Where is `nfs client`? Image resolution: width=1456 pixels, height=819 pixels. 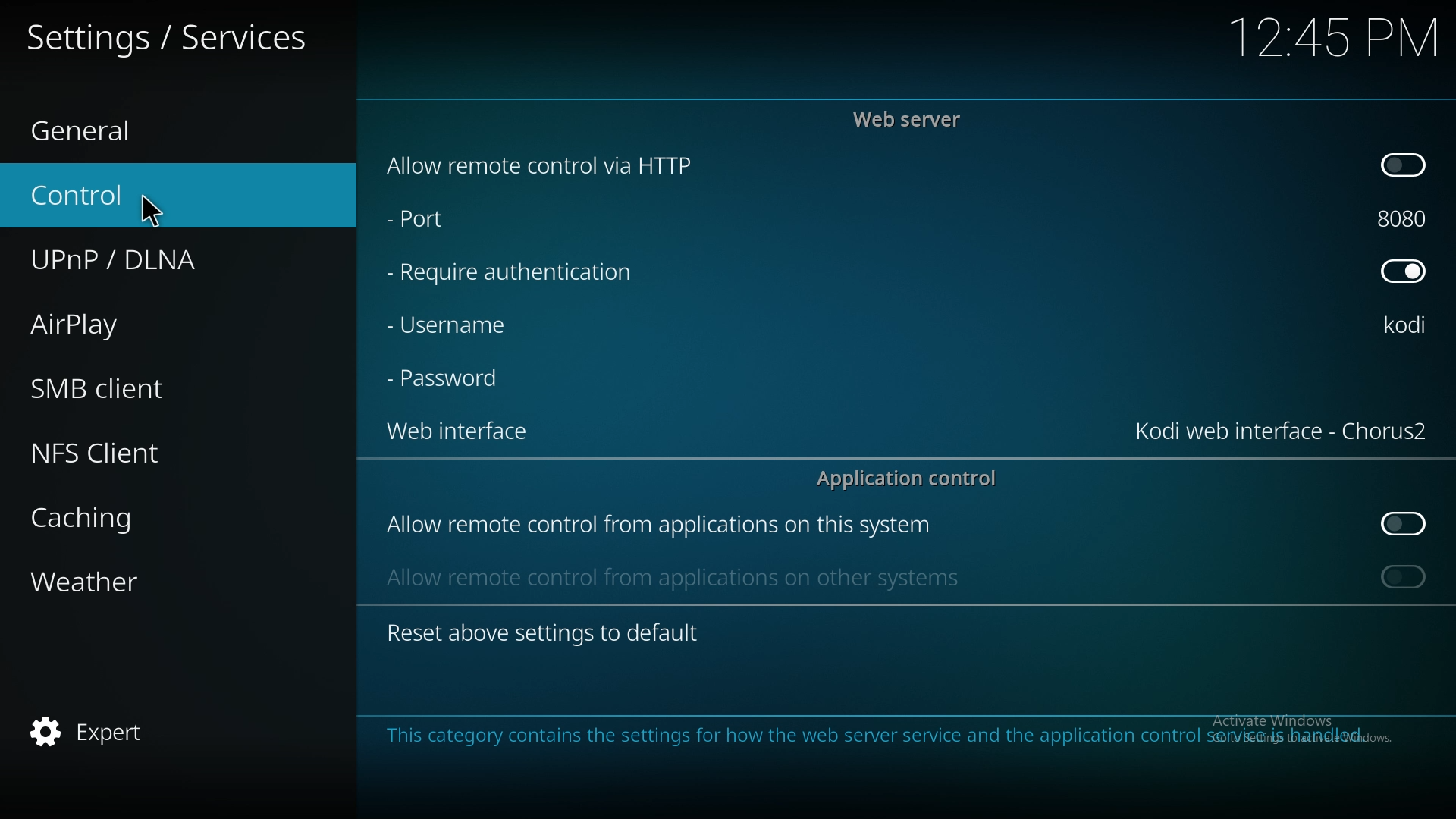 nfs client is located at coordinates (124, 453).